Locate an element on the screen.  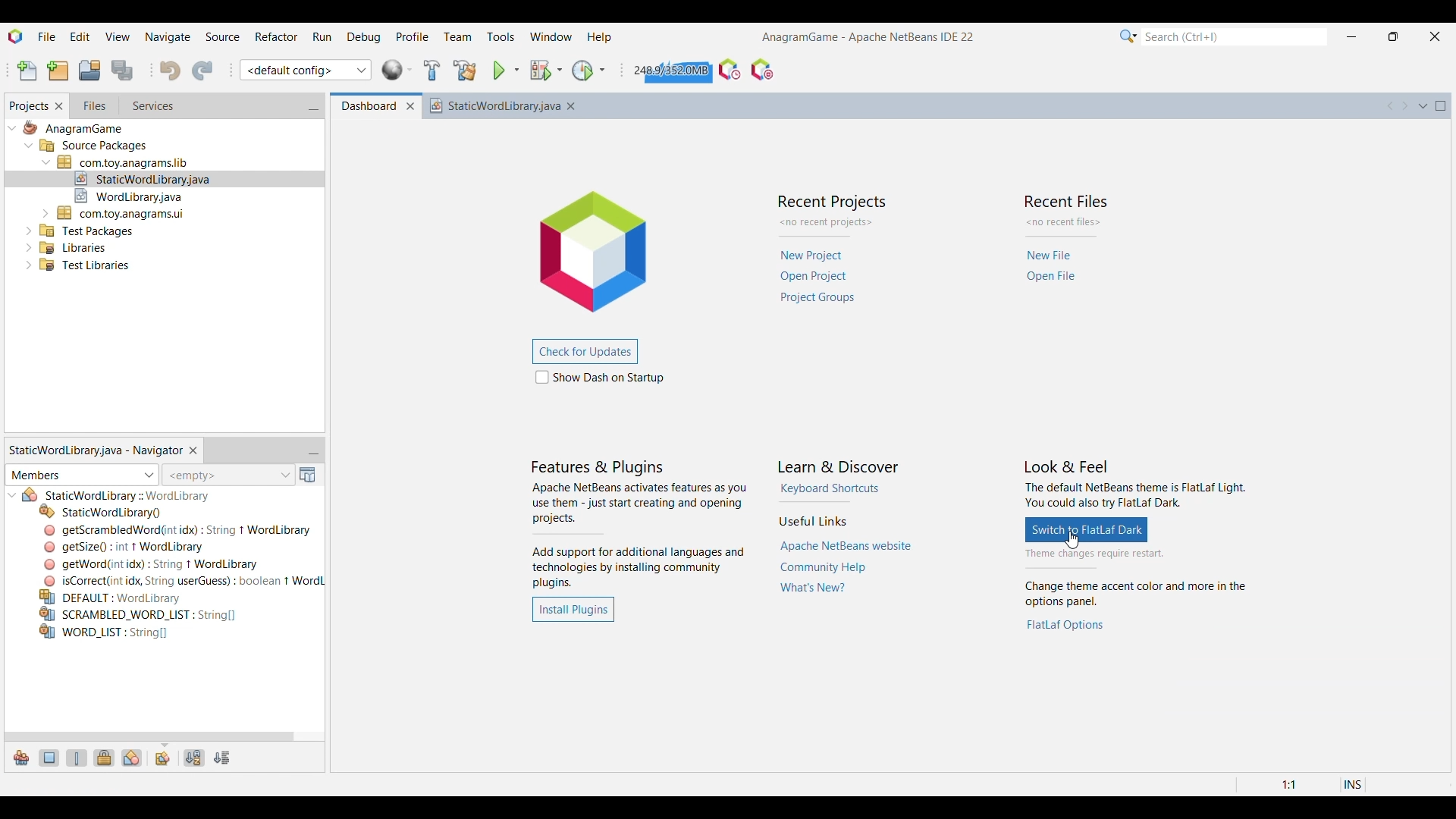
Show static members is located at coordinates (77, 758).